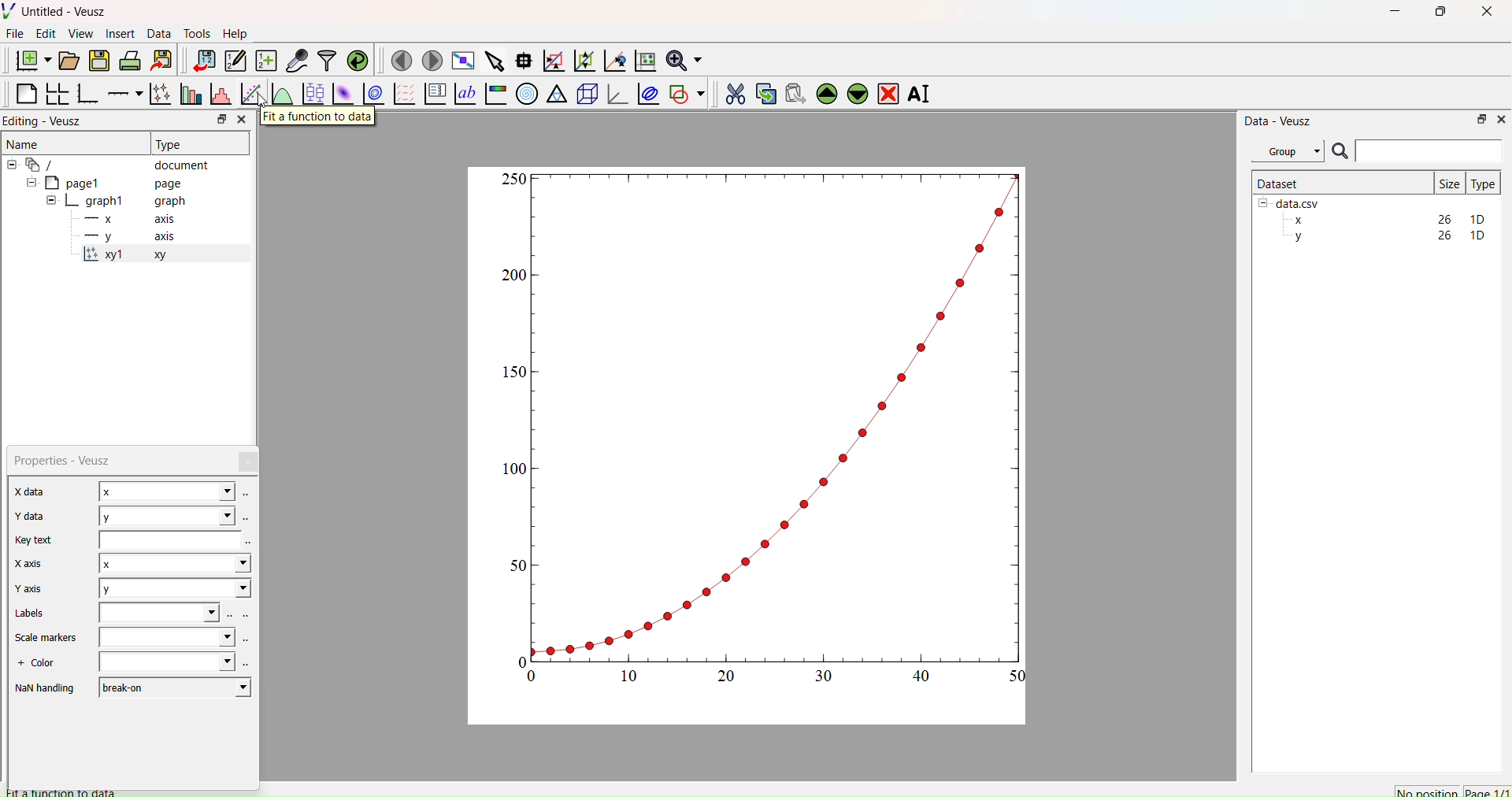 The width and height of the screenshot is (1512, 797). Describe the element at coordinates (194, 32) in the screenshot. I see `Tools` at that location.